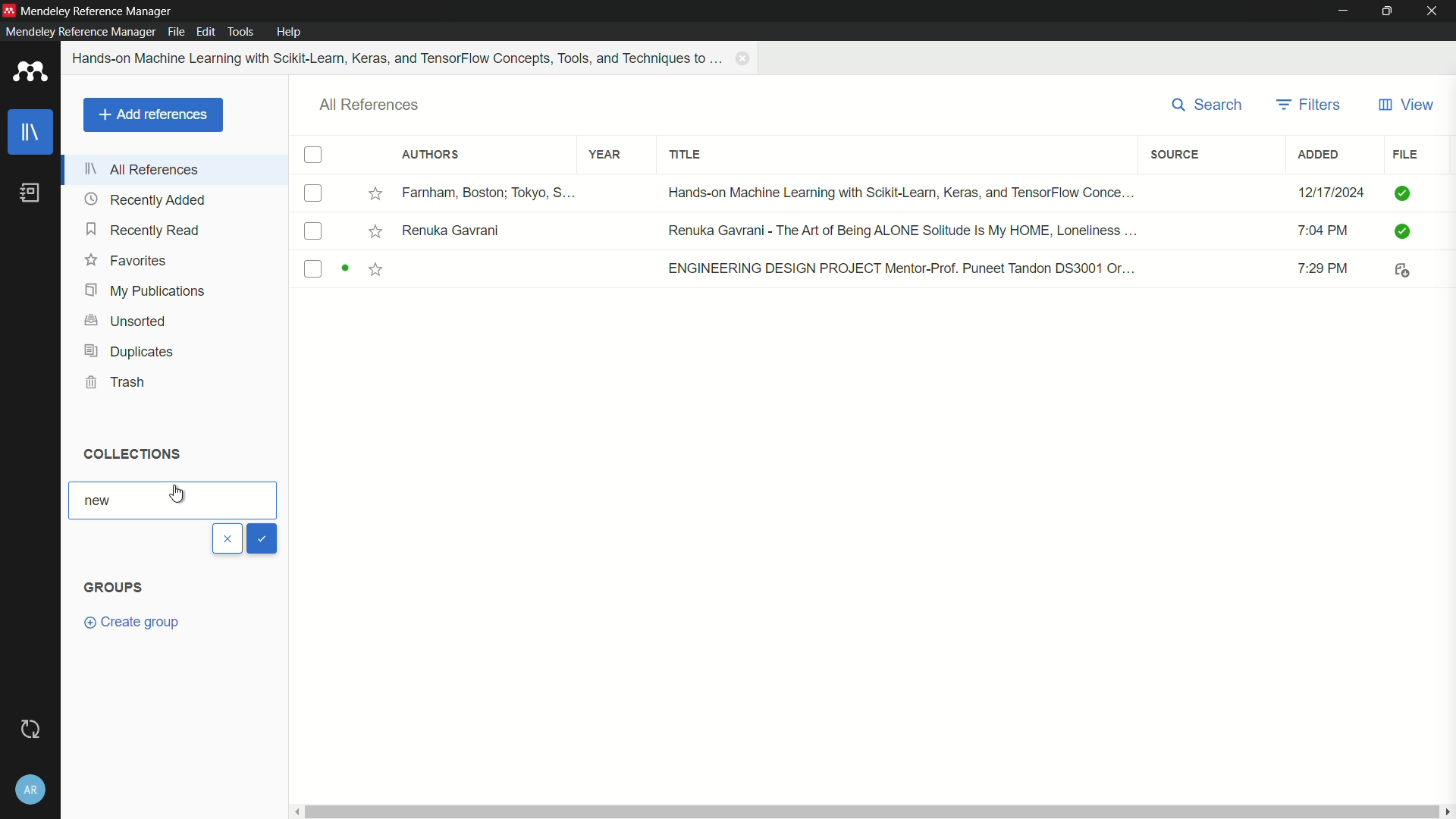  I want to click on unsorted, so click(128, 319).